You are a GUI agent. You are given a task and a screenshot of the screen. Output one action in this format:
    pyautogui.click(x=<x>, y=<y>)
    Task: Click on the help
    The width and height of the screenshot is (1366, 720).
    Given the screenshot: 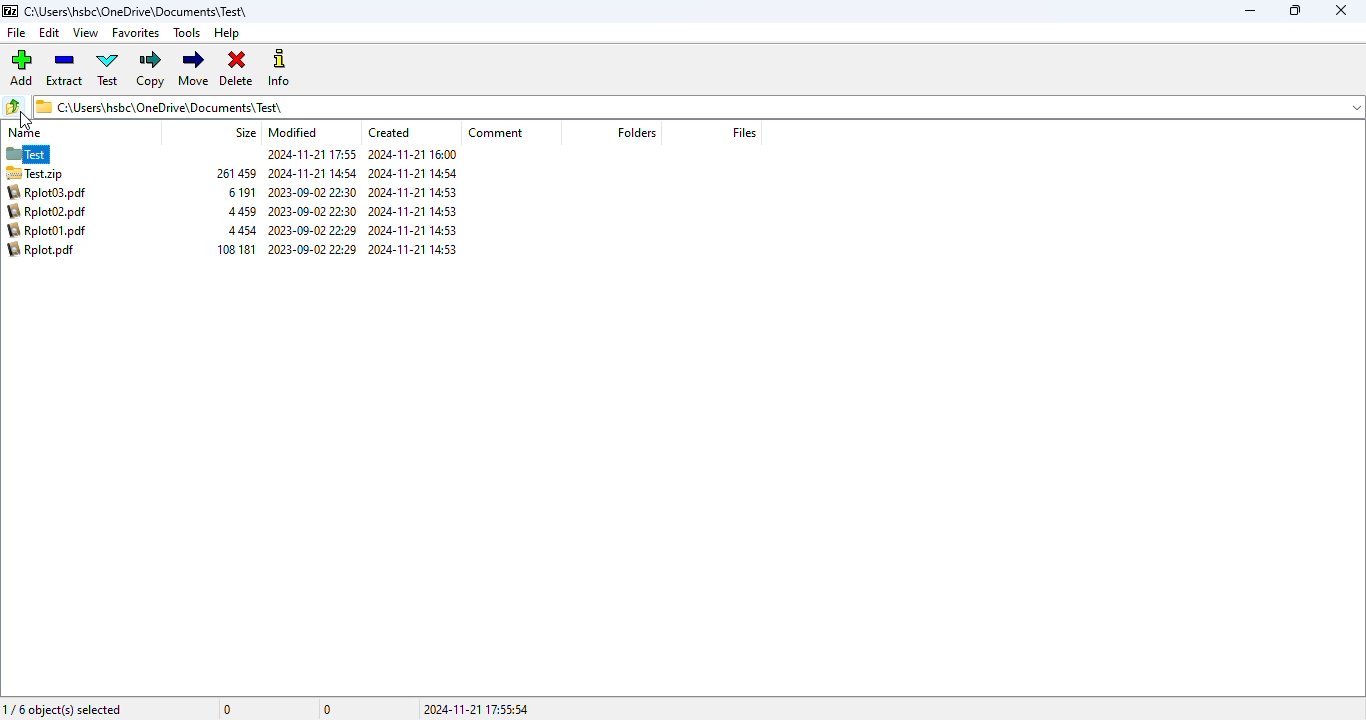 What is the action you would take?
    pyautogui.click(x=226, y=33)
    